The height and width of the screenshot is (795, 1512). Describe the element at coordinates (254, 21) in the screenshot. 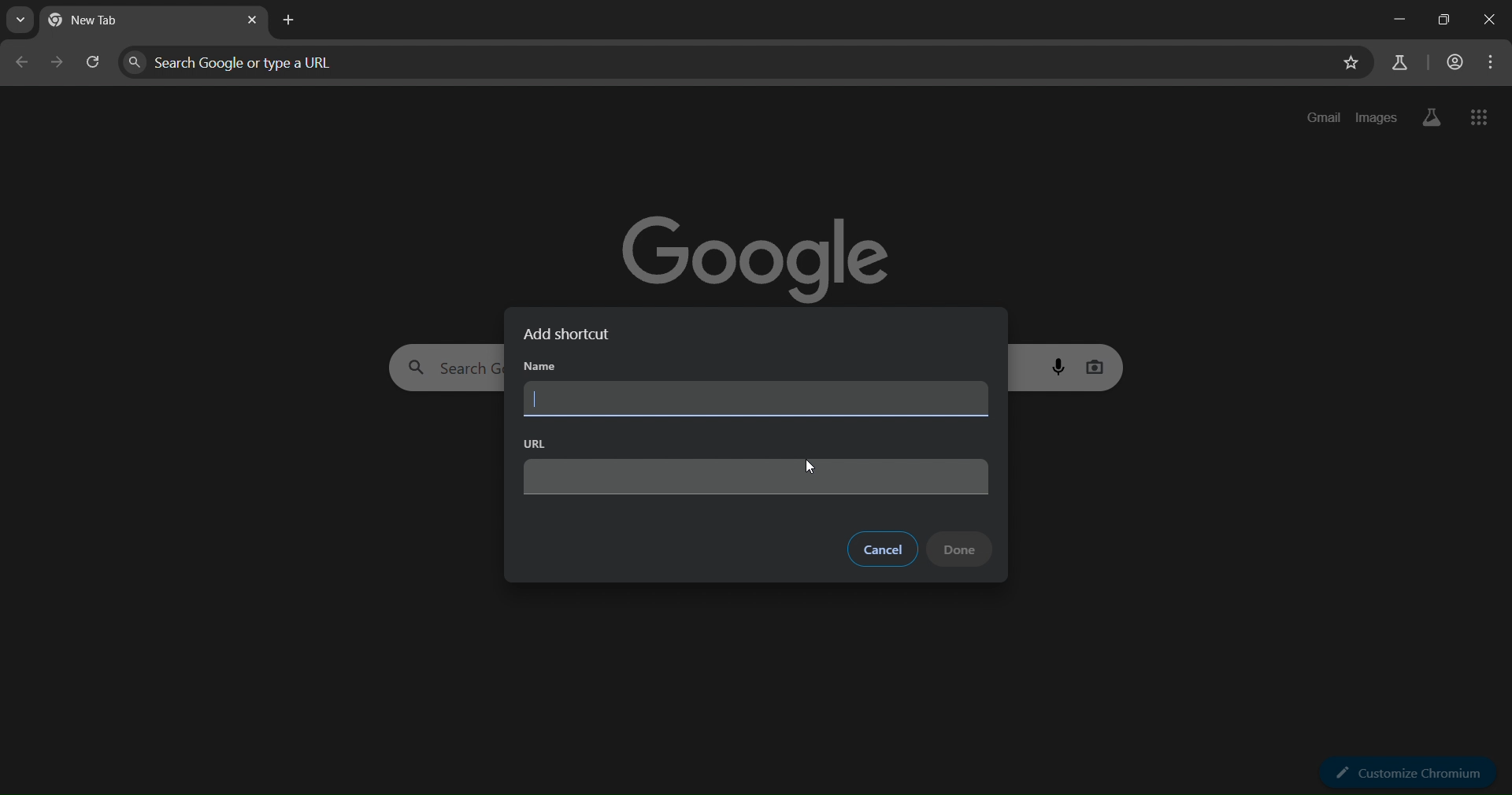

I see `close tab` at that location.